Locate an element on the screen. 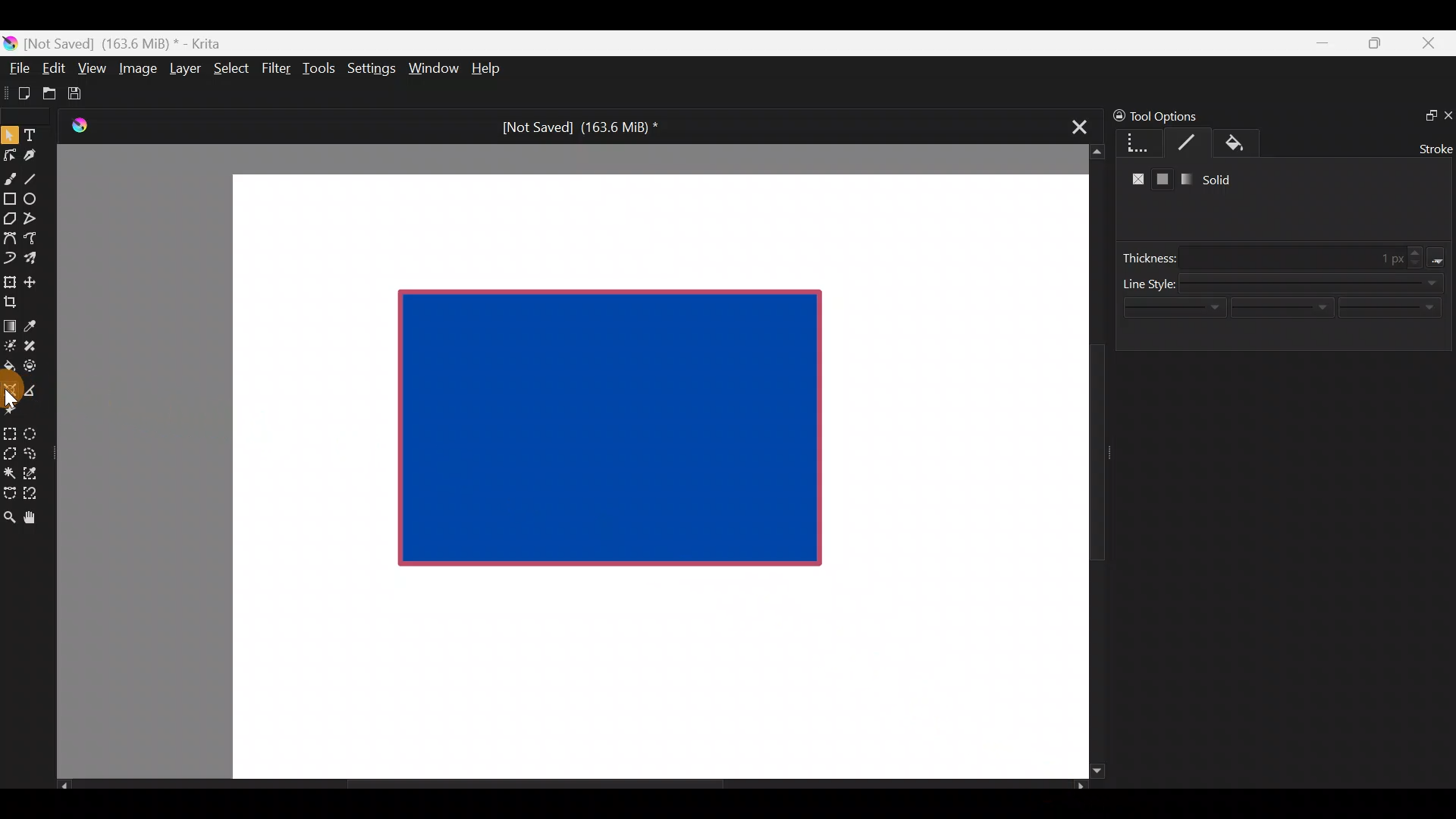 This screenshot has height=819, width=1456. Minimize is located at coordinates (1323, 43).